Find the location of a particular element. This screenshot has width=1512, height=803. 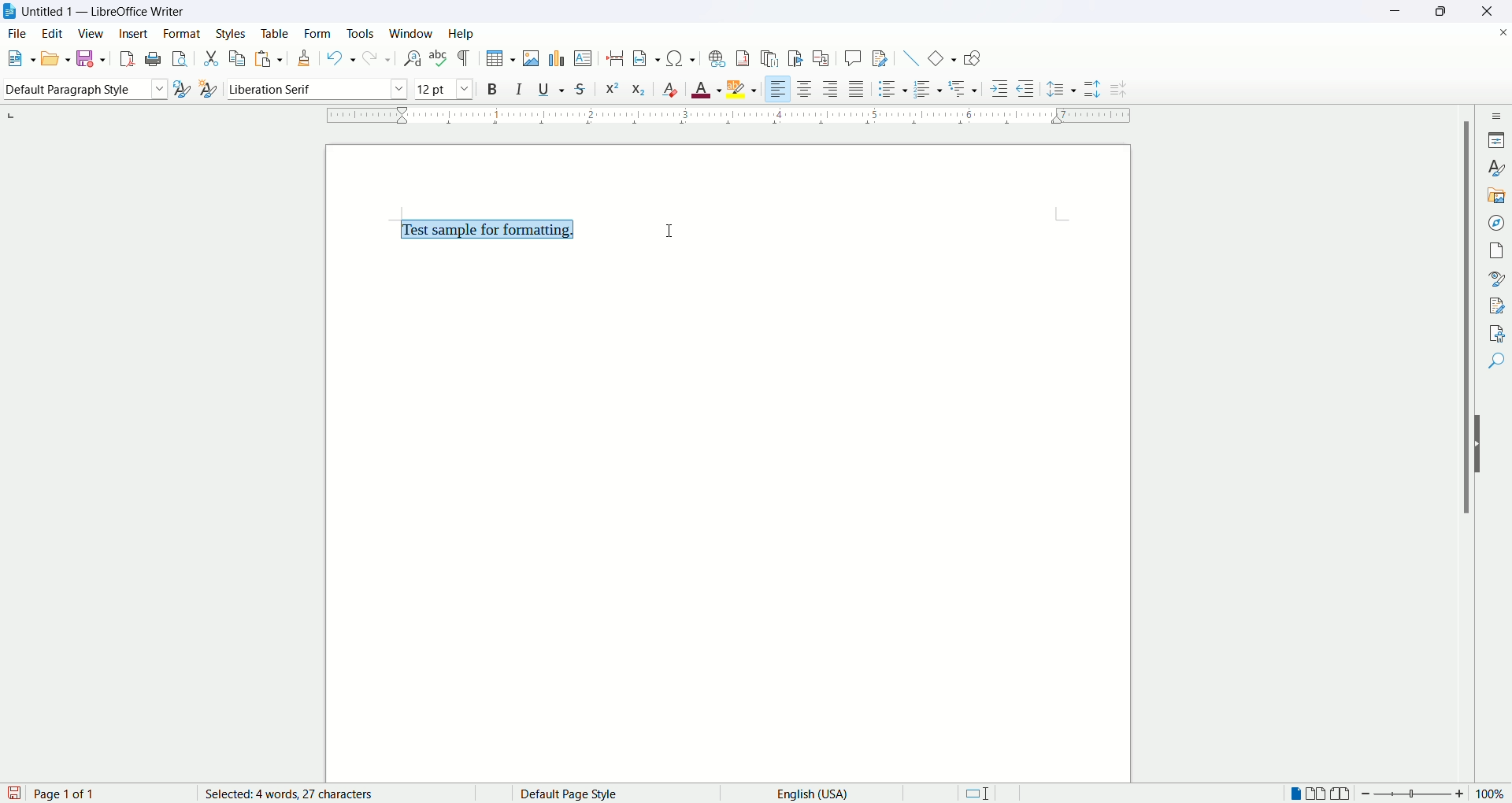

insert special character is located at coordinates (682, 58).